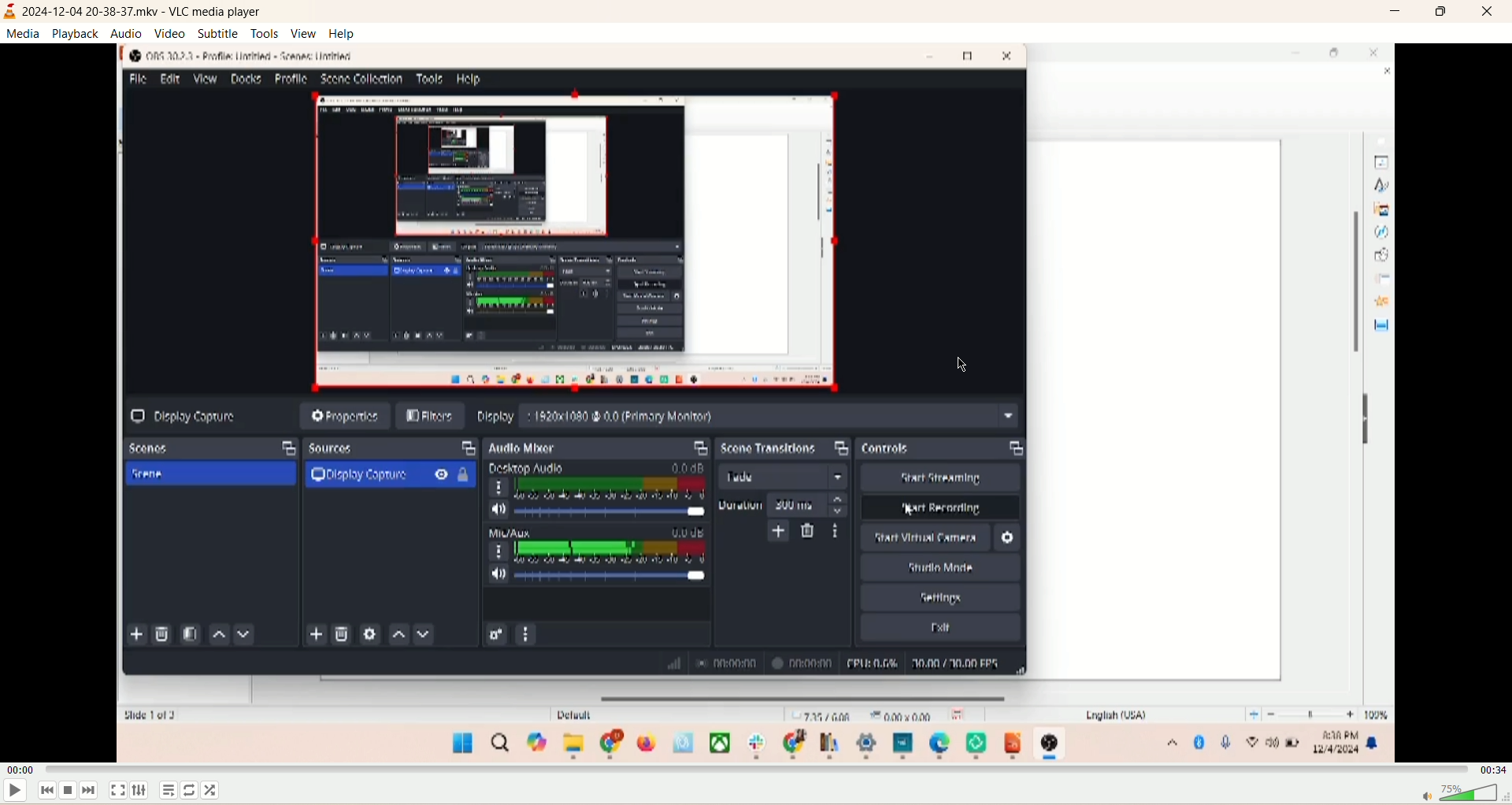 Image resolution: width=1512 pixels, height=805 pixels. What do you see at coordinates (22, 770) in the screenshot?
I see `played time` at bounding box center [22, 770].